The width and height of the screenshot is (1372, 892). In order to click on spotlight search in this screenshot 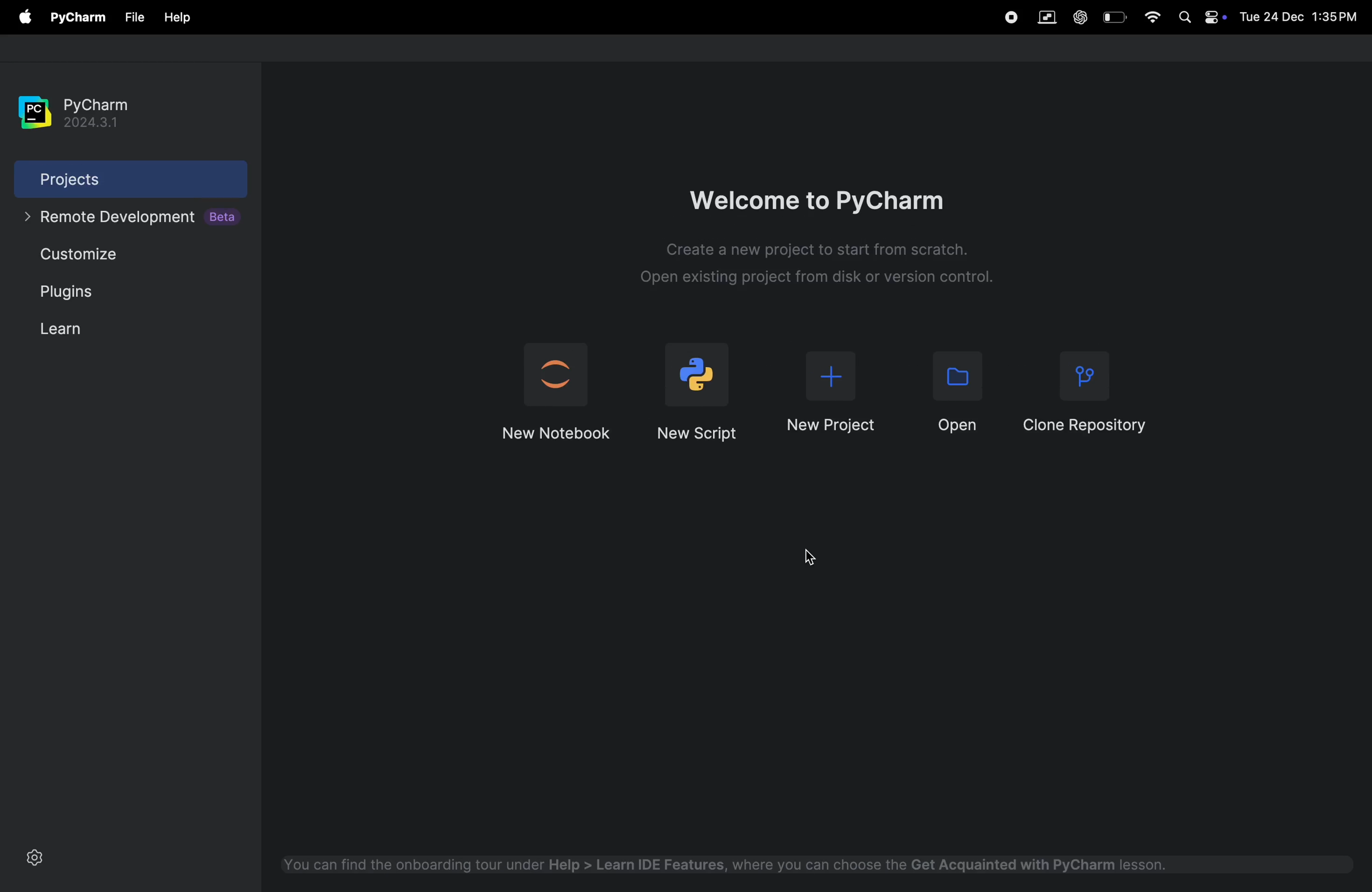, I will do `click(1183, 17)`.